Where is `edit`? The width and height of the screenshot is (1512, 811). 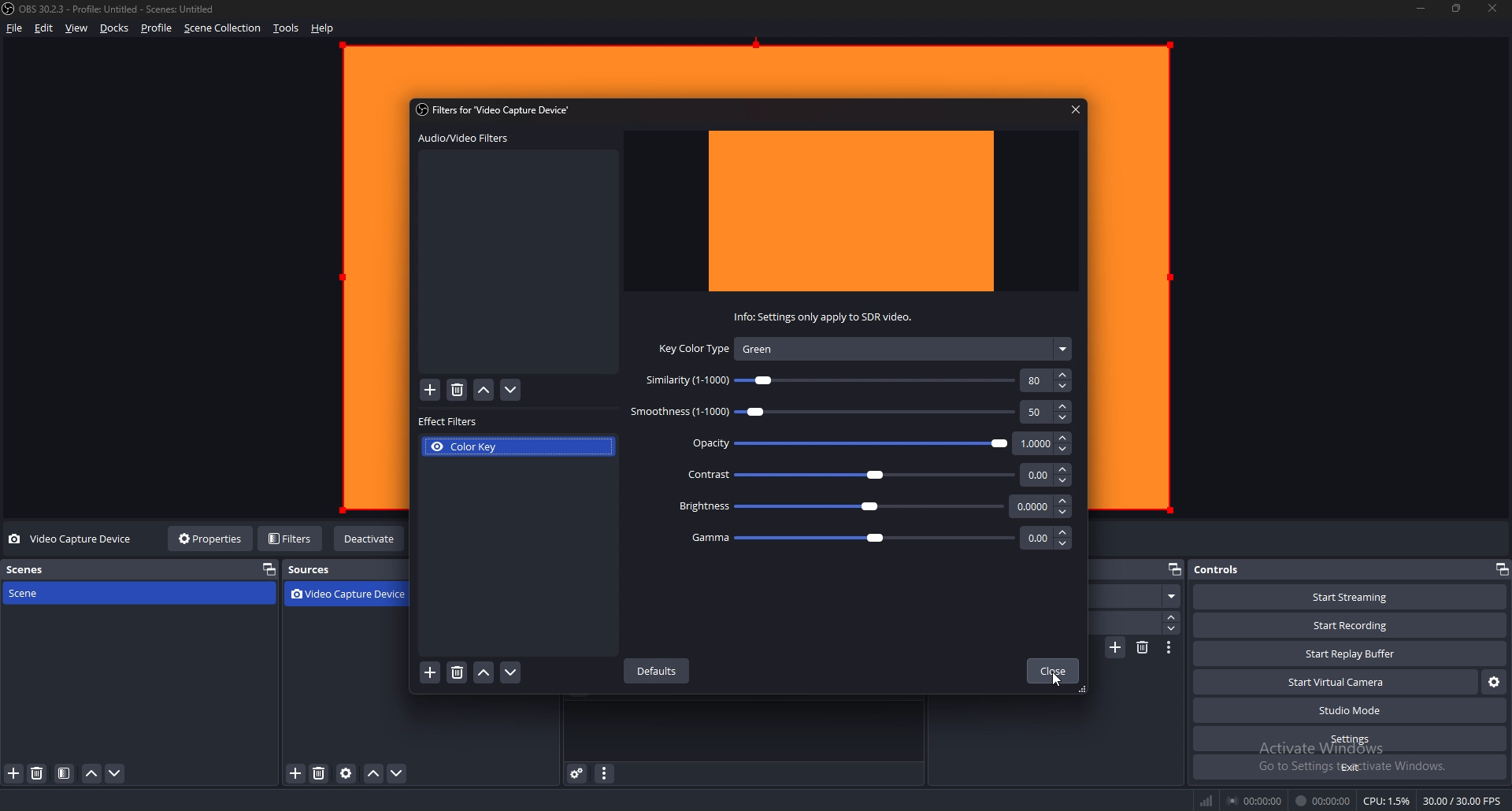
edit is located at coordinates (44, 28).